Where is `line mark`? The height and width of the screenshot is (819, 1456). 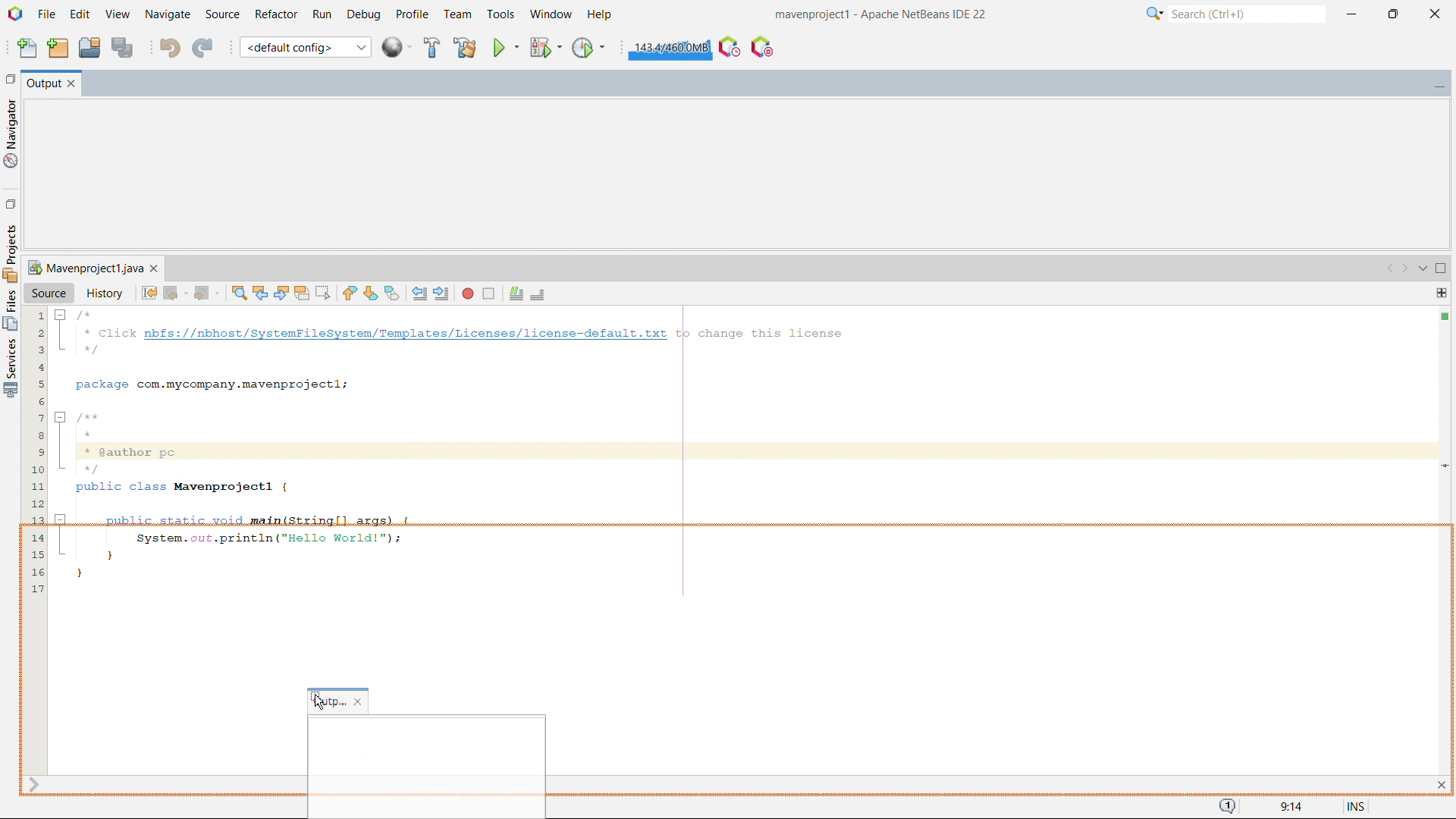 line mark is located at coordinates (1442, 465).